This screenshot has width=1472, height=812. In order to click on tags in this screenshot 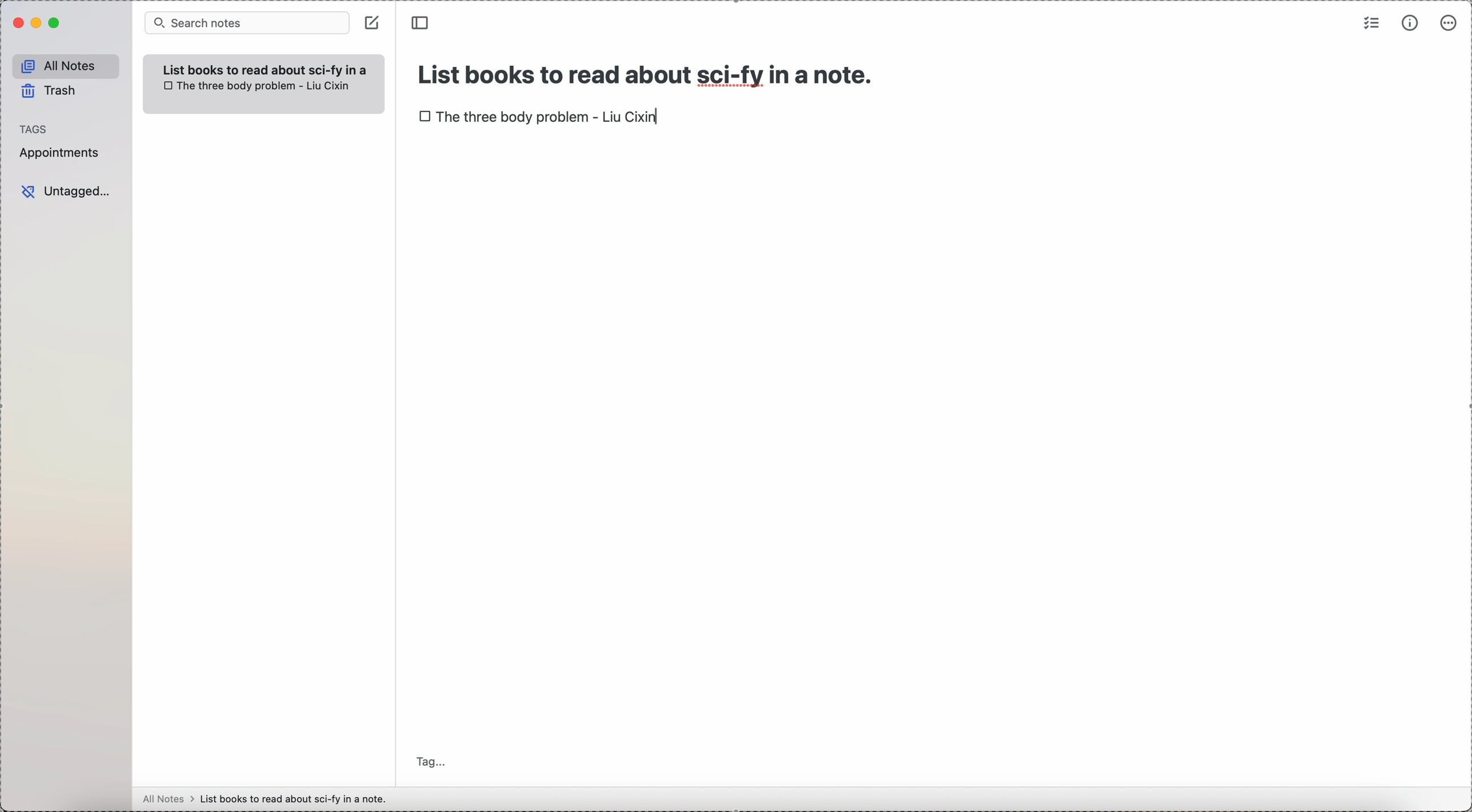, I will do `click(35, 127)`.